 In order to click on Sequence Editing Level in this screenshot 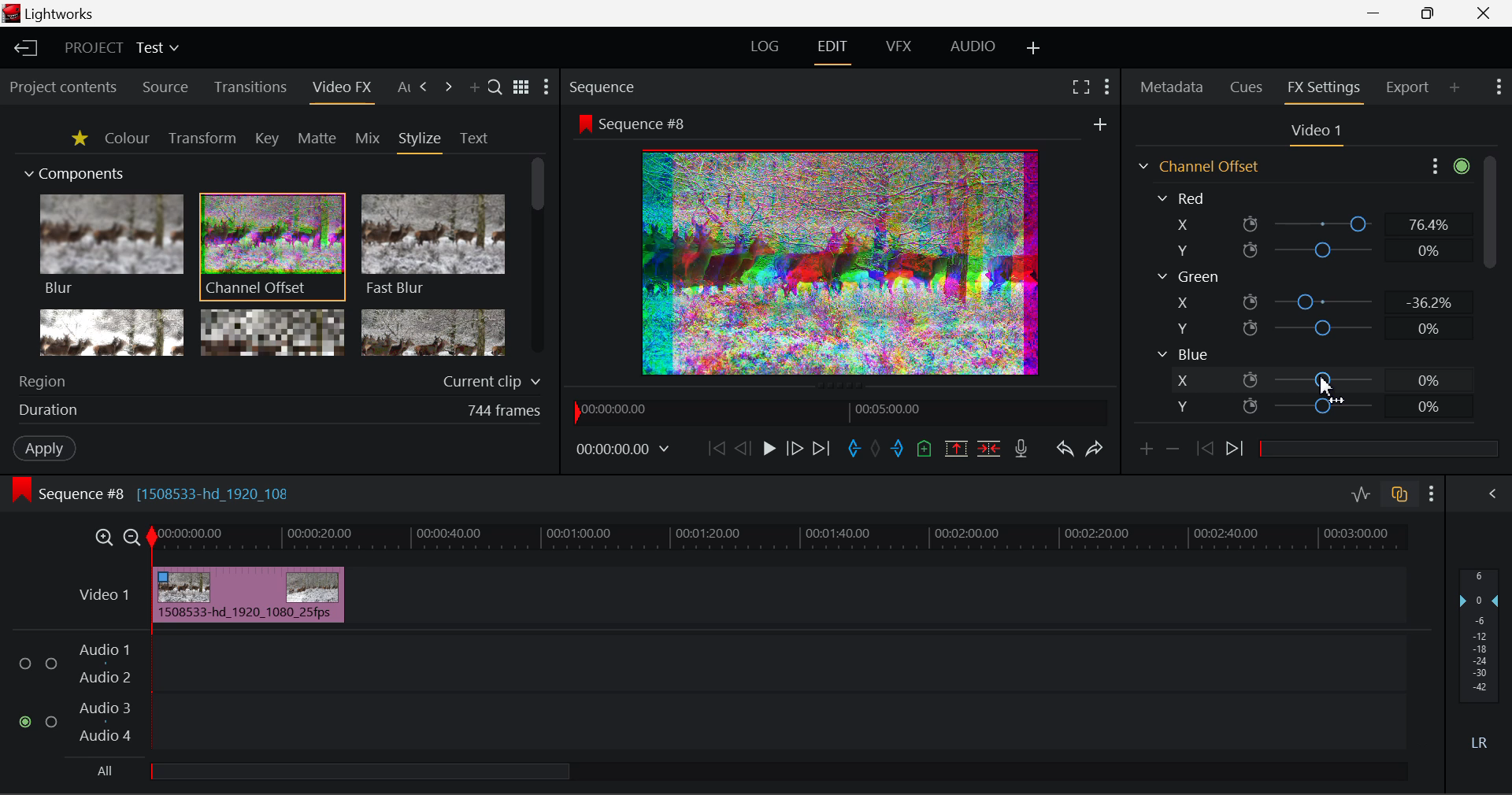, I will do `click(65, 495)`.